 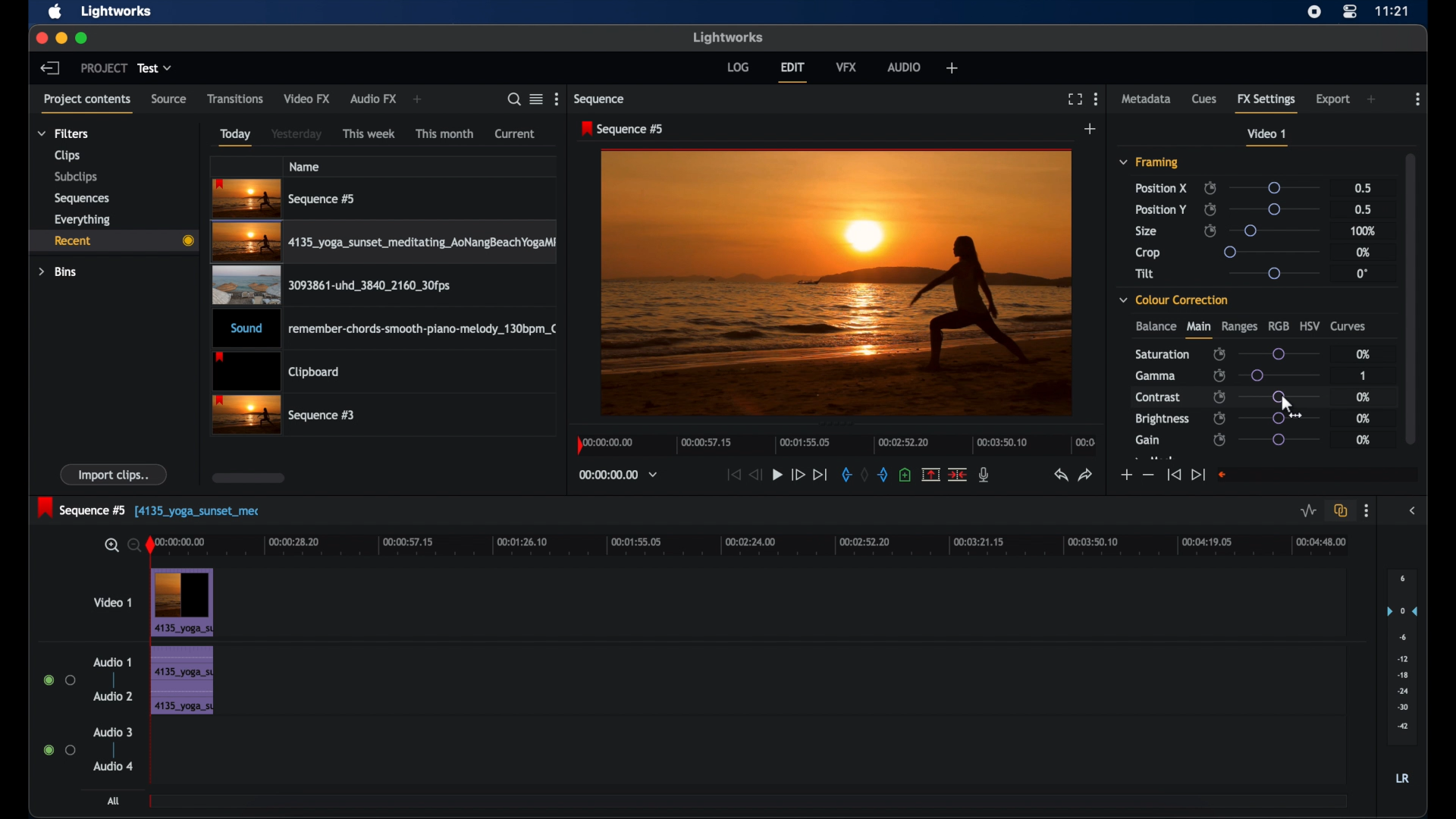 What do you see at coordinates (797, 474) in the screenshot?
I see `fast forward` at bounding box center [797, 474].